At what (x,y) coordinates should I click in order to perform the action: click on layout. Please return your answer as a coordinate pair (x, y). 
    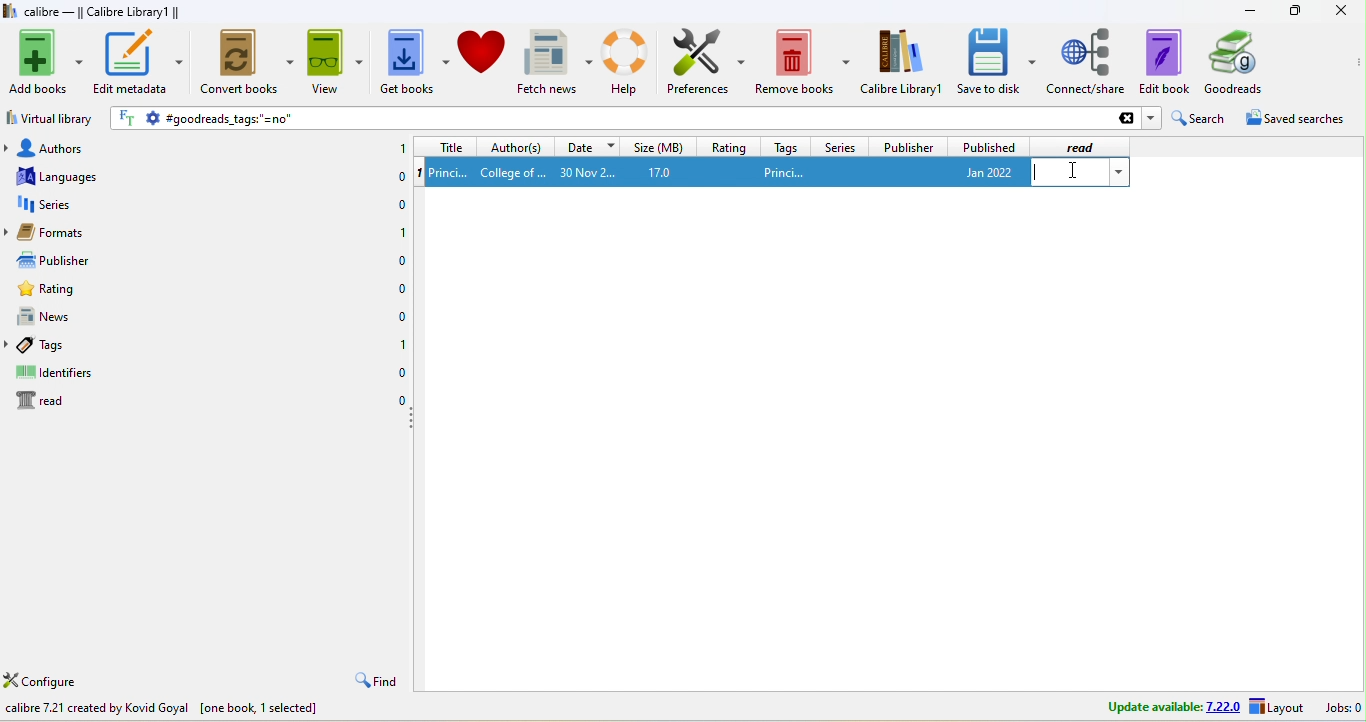
    Looking at the image, I should click on (1279, 708).